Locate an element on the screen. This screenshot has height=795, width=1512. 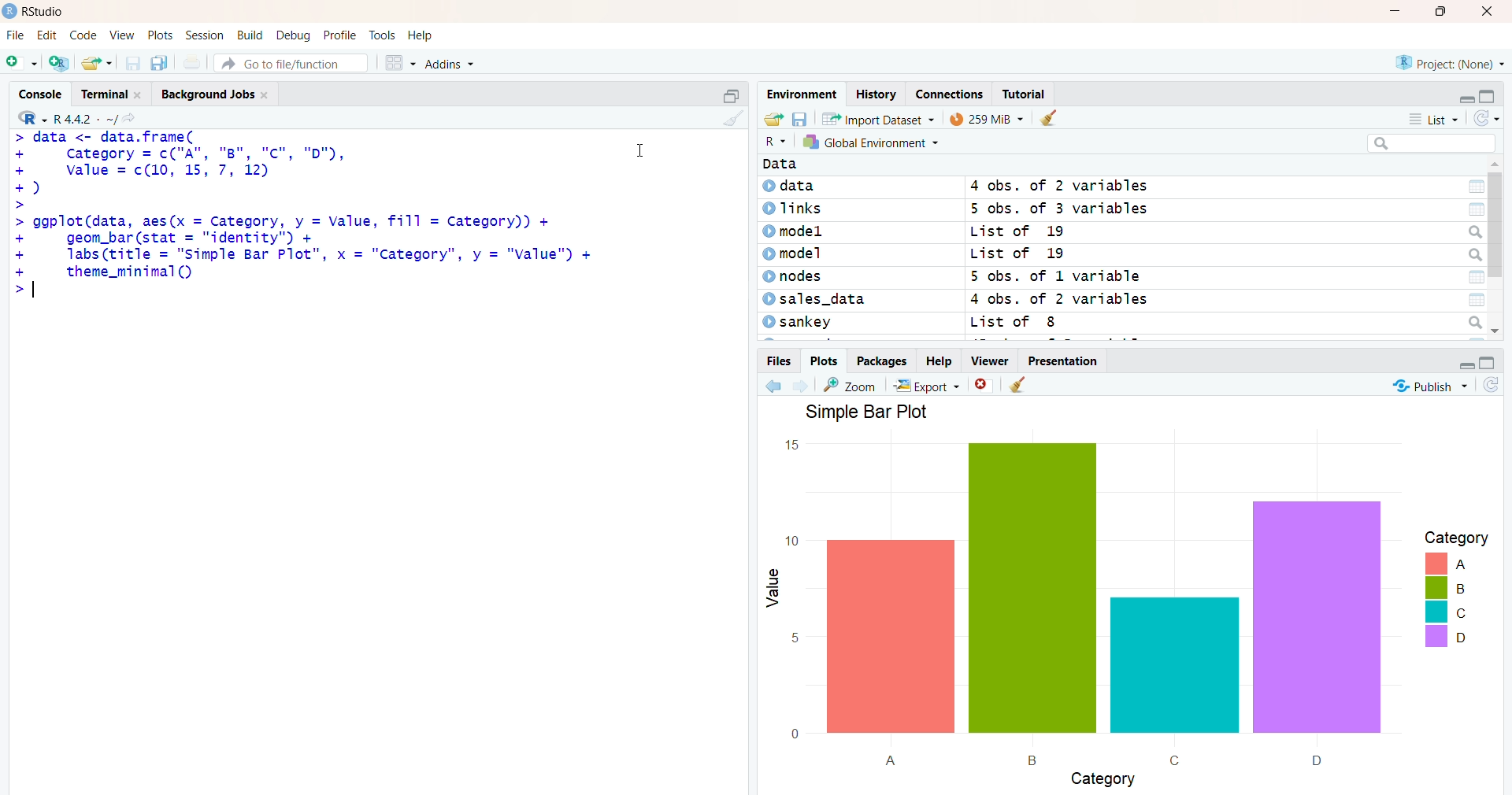
clear all plots is located at coordinates (1019, 386).